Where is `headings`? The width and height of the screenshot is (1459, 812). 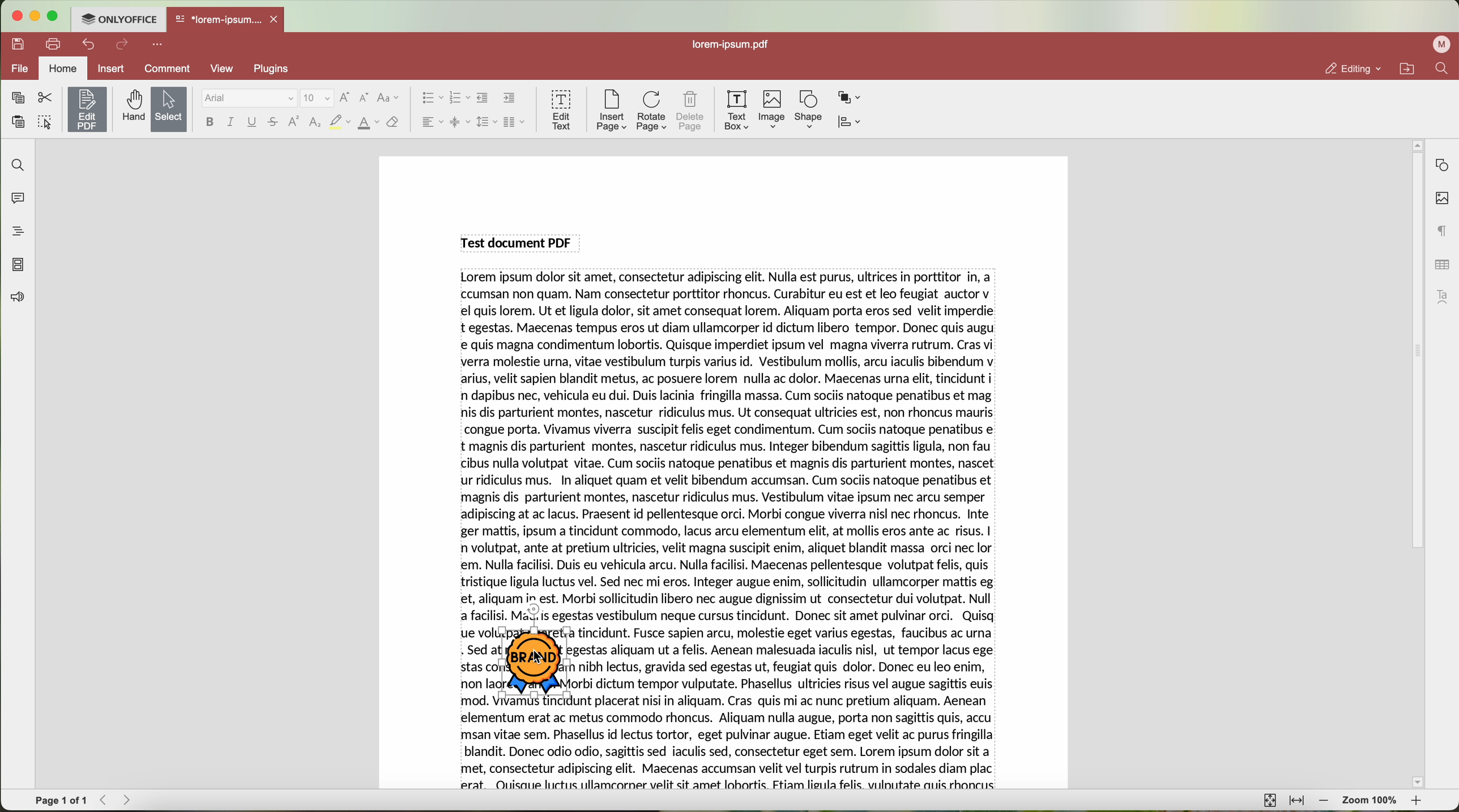
headings is located at coordinates (14, 231).